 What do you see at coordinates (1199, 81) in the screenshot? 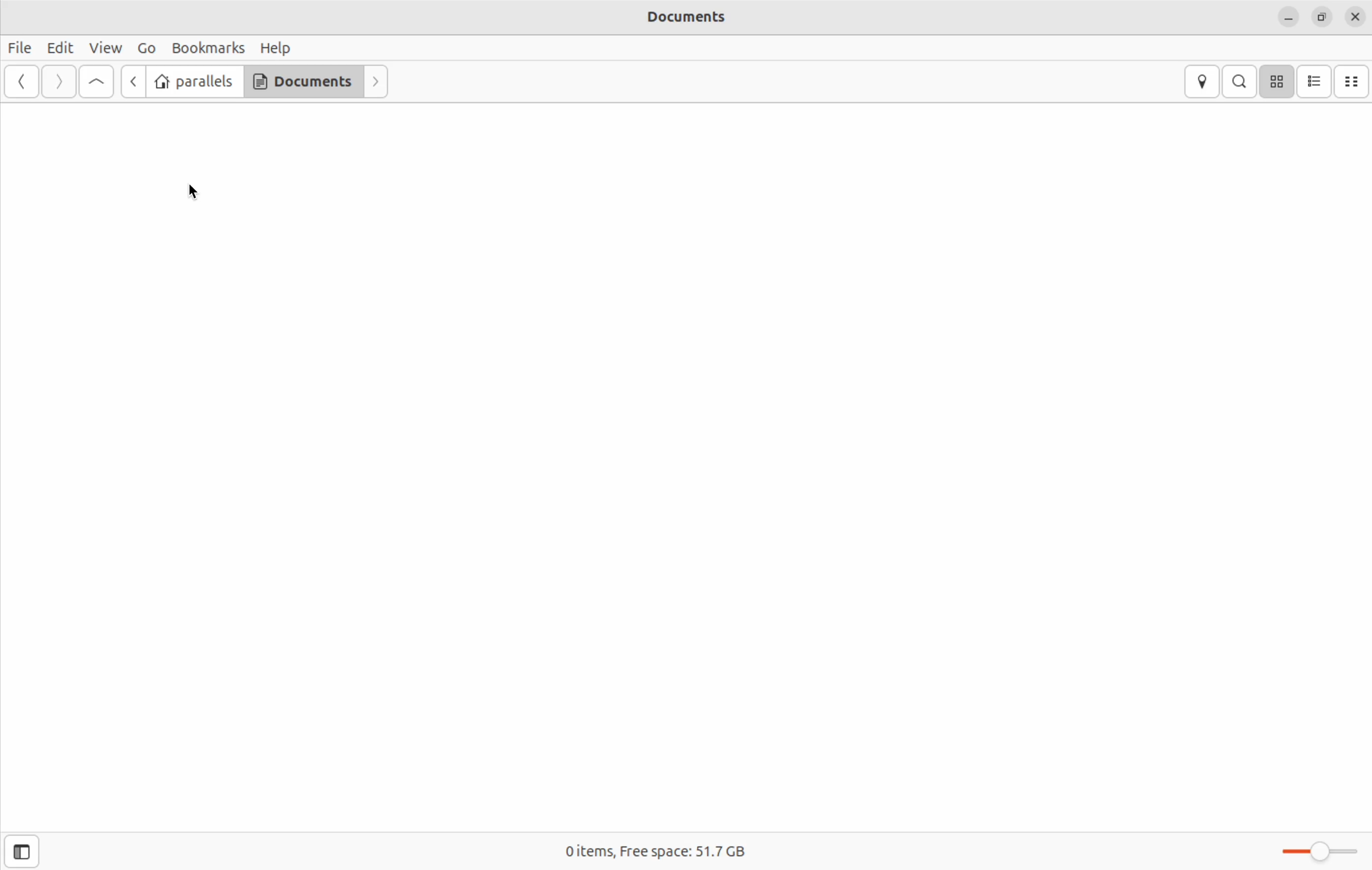
I see `location` at bounding box center [1199, 81].